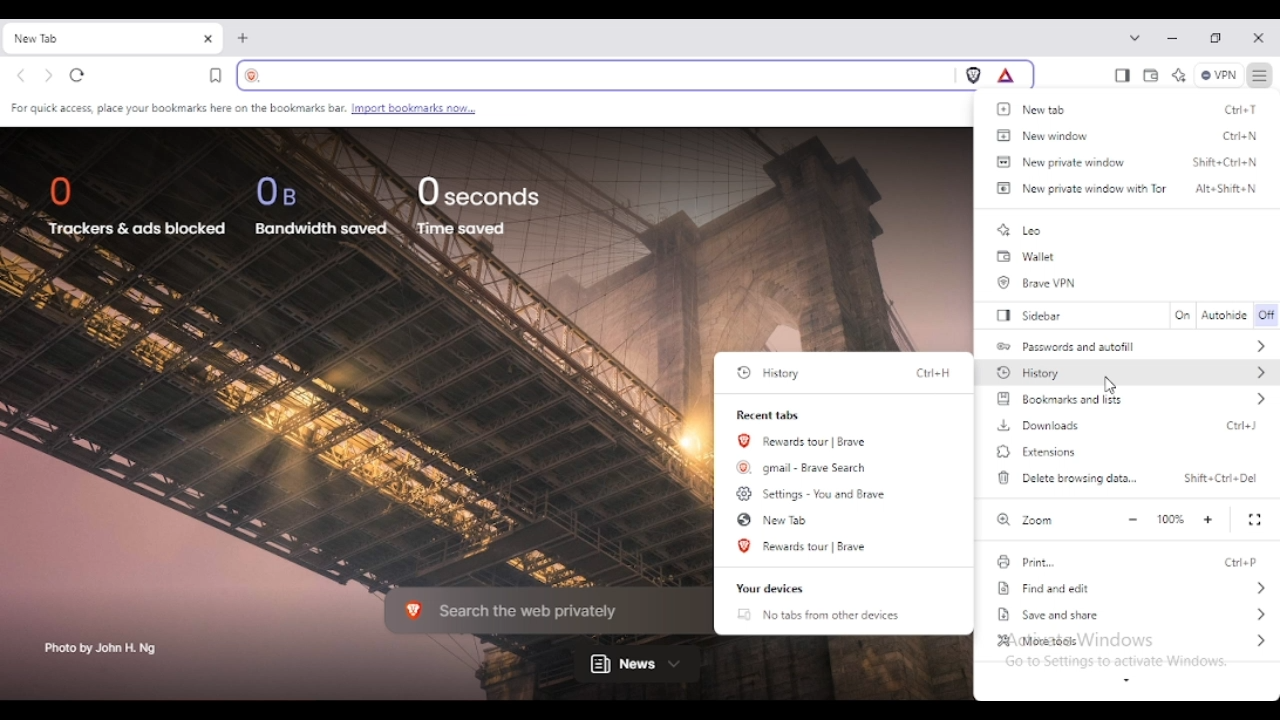 The width and height of the screenshot is (1280, 720). What do you see at coordinates (1218, 75) in the screenshot?
I see `brave firewall + VPN` at bounding box center [1218, 75].